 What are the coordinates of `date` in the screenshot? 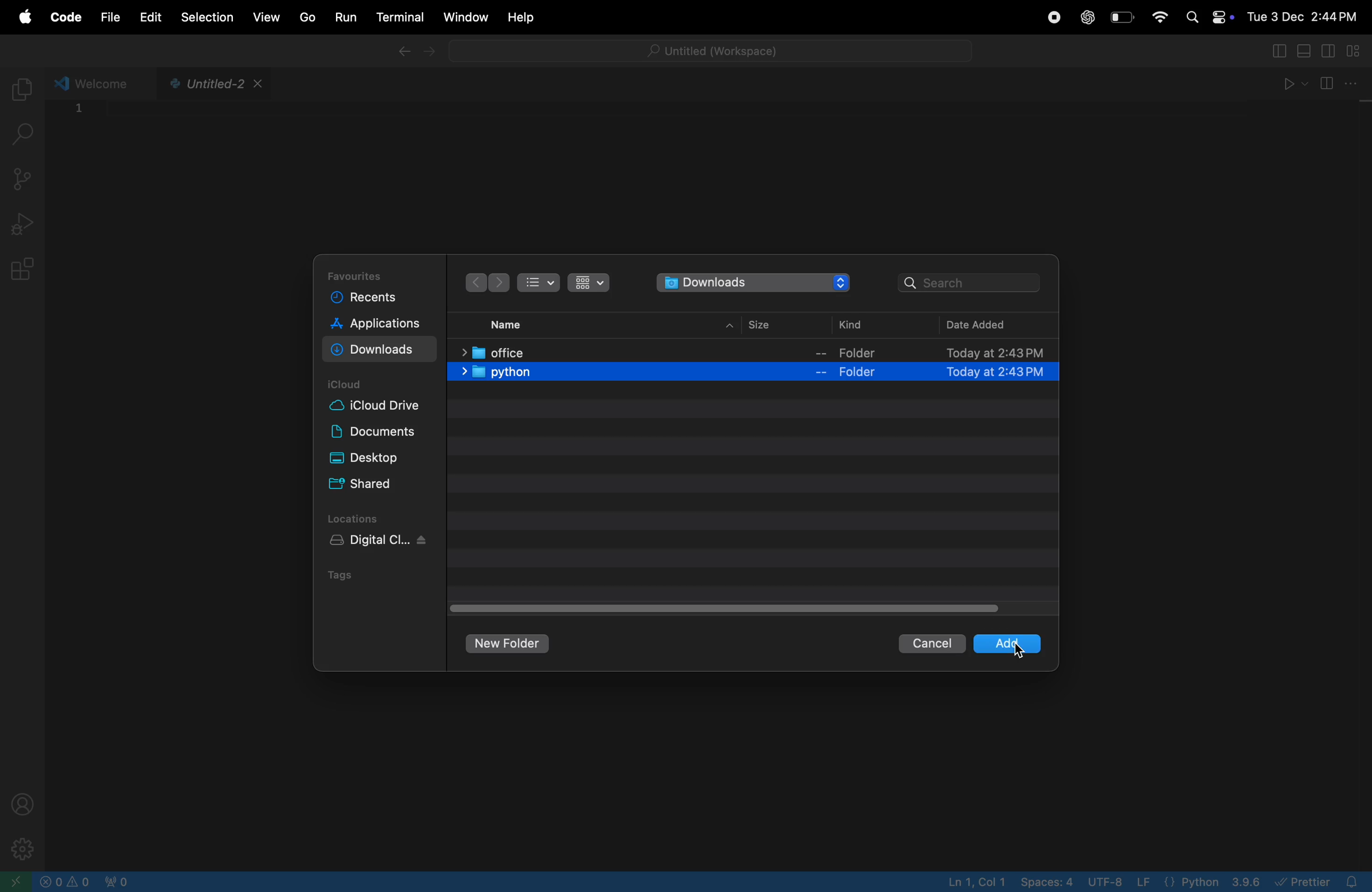 It's located at (975, 351).